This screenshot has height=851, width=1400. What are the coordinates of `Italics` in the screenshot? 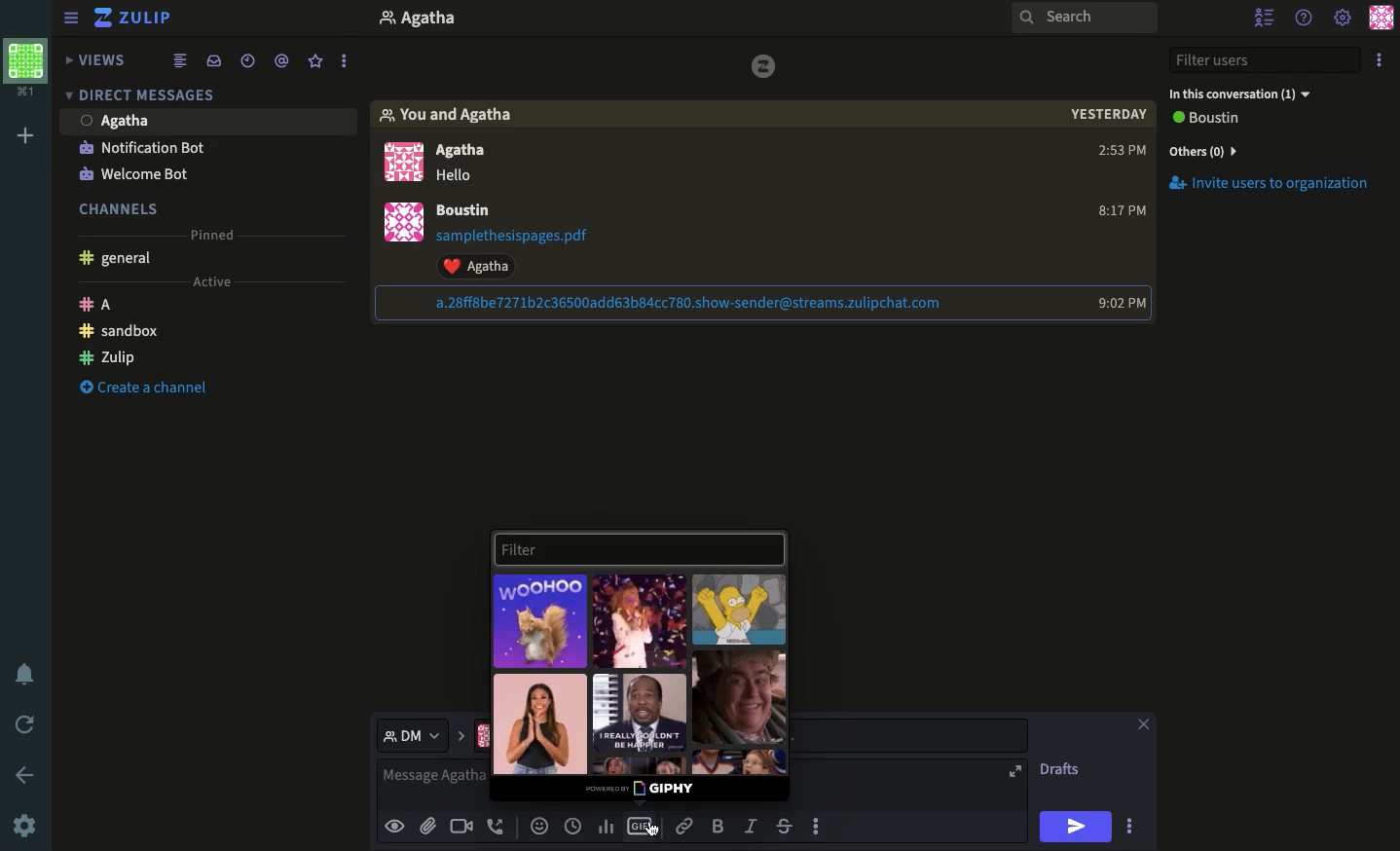 It's located at (753, 825).